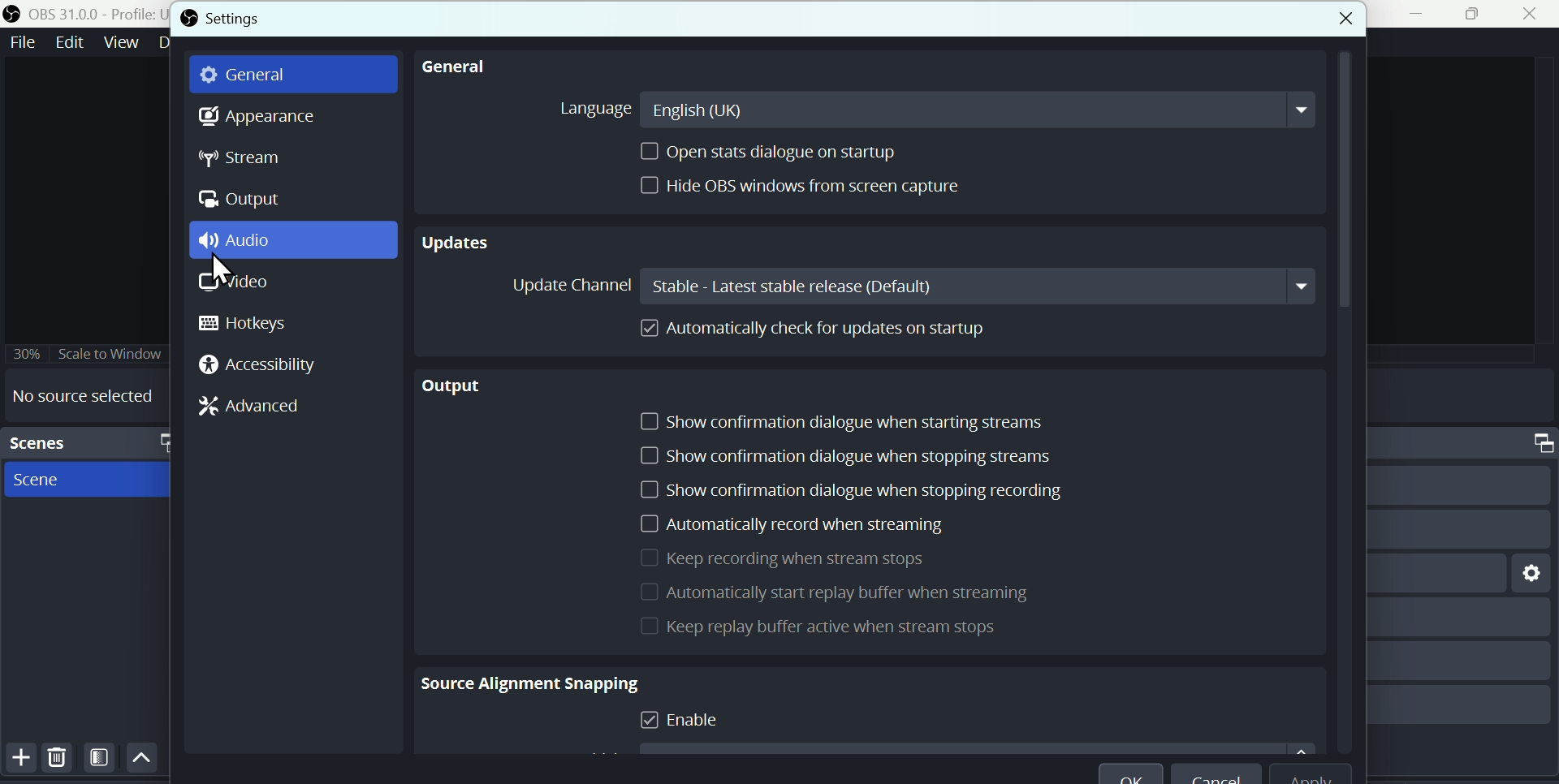  Describe the element at coordinates (1315, 773) in the screenshot. I see `Apply` at that location.